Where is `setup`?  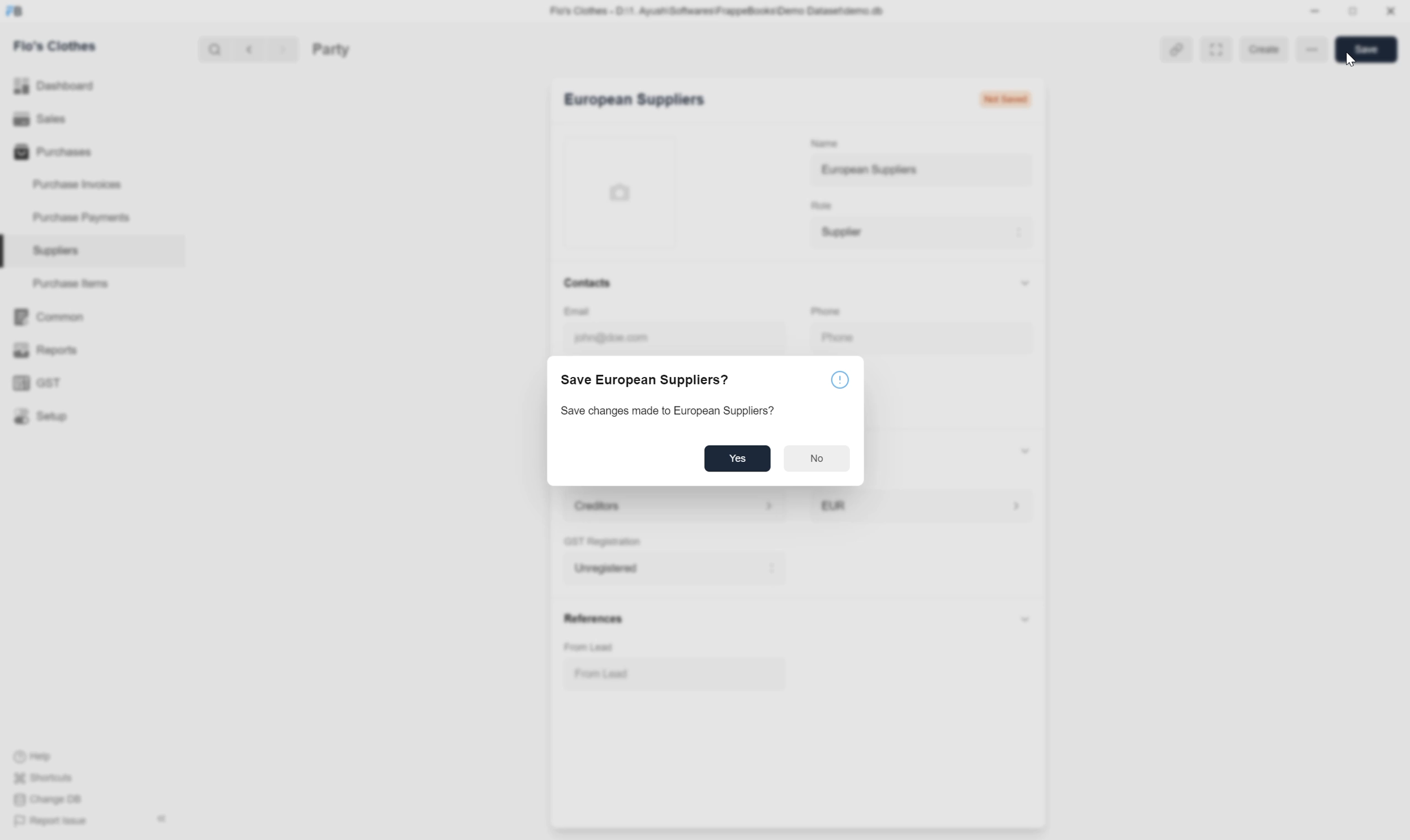 setup is located at coordinates (41, 416).